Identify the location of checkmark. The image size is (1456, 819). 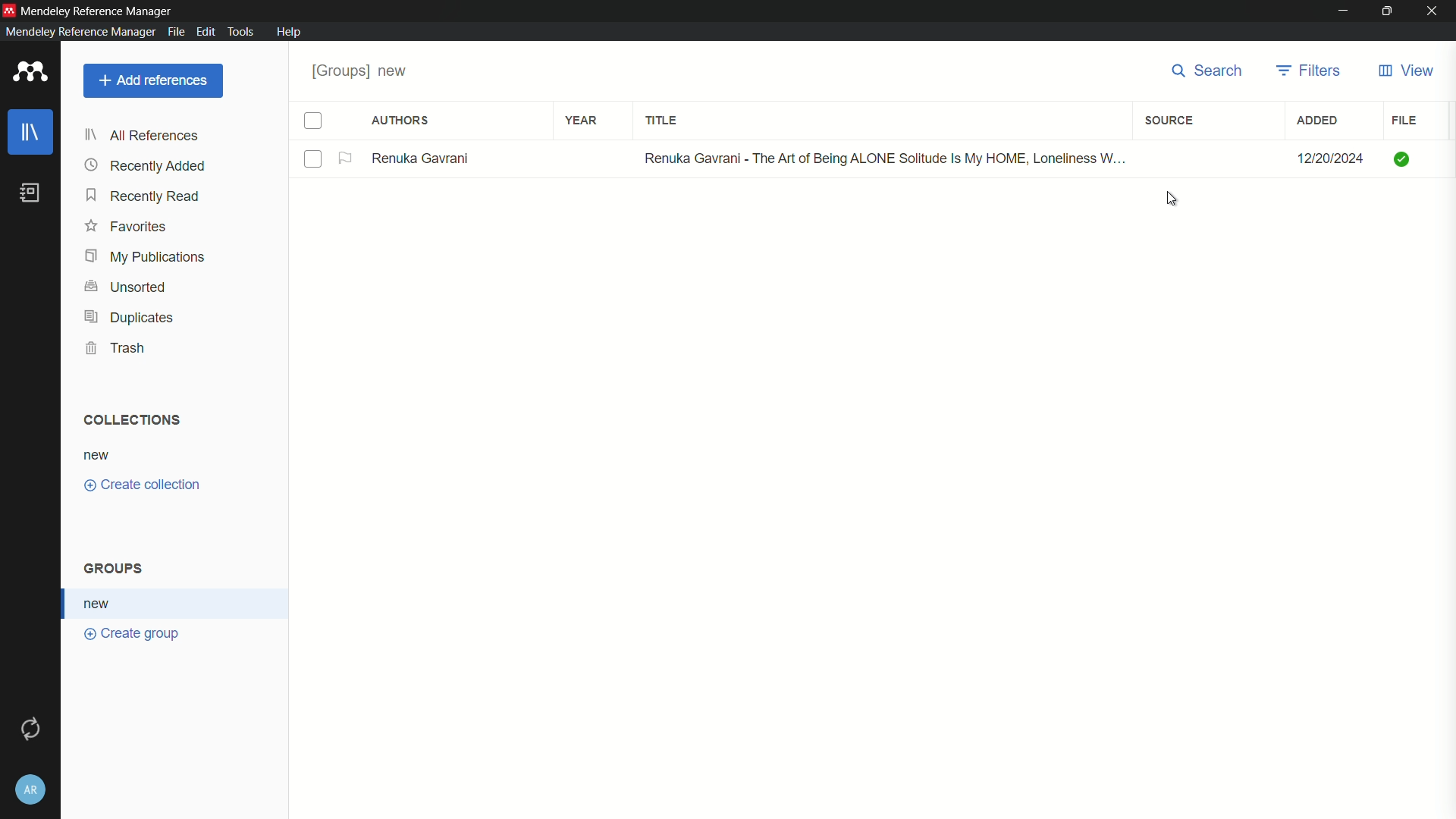
(1400, 159).